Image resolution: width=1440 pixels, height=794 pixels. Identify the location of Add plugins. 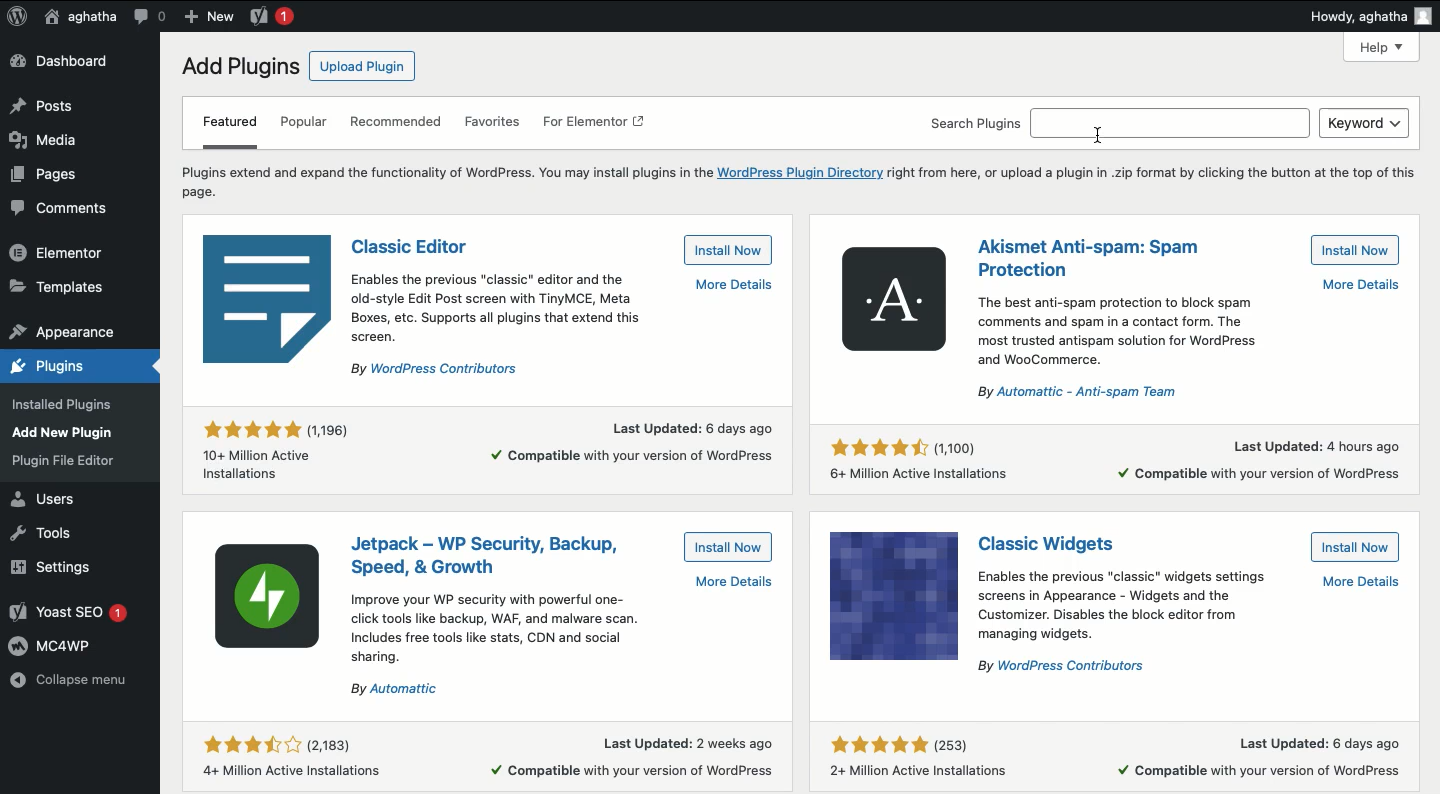
(238, 67).